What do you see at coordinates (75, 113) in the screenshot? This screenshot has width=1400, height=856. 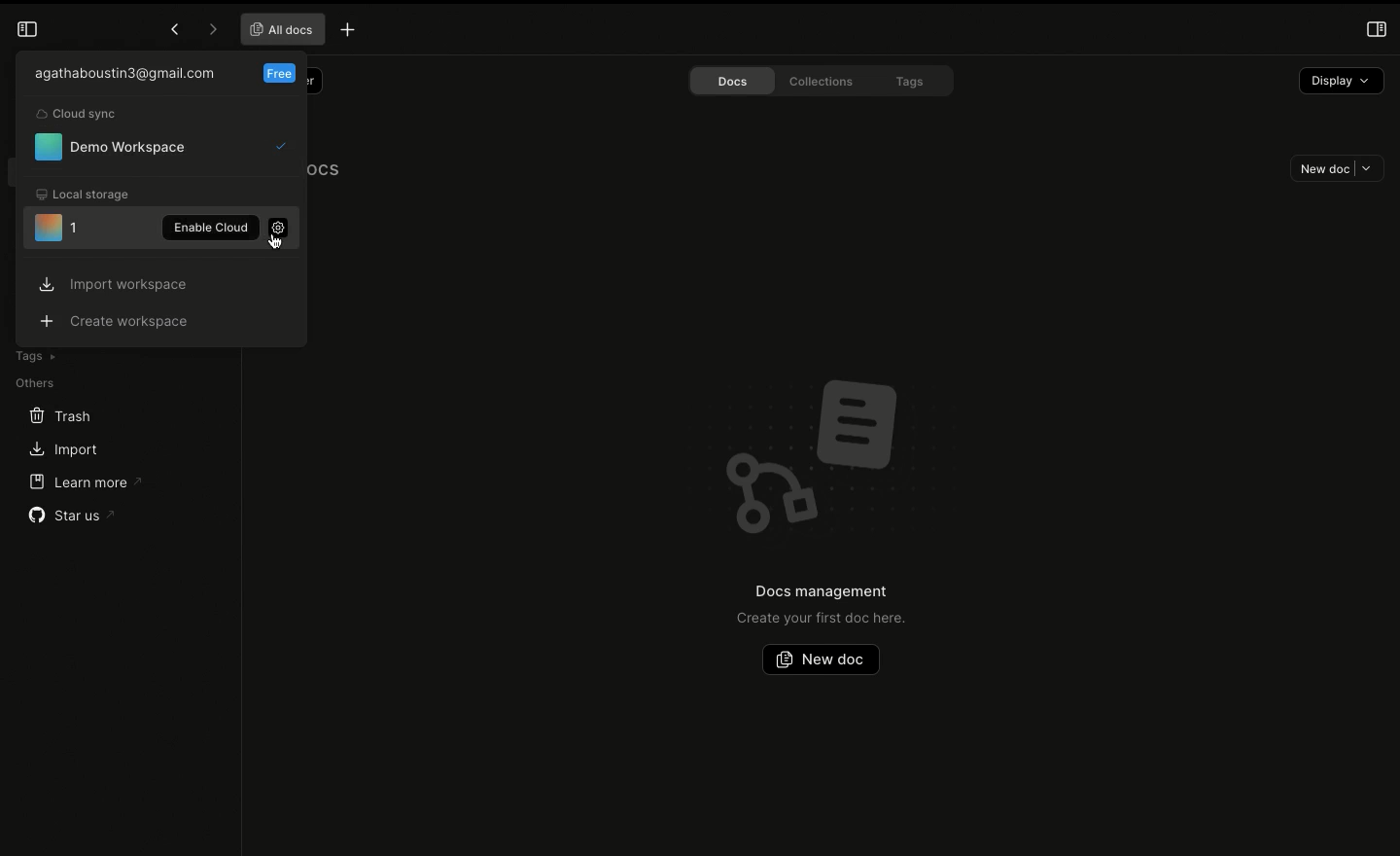 I see `Cloud sync` at bounding box center [75, 113].